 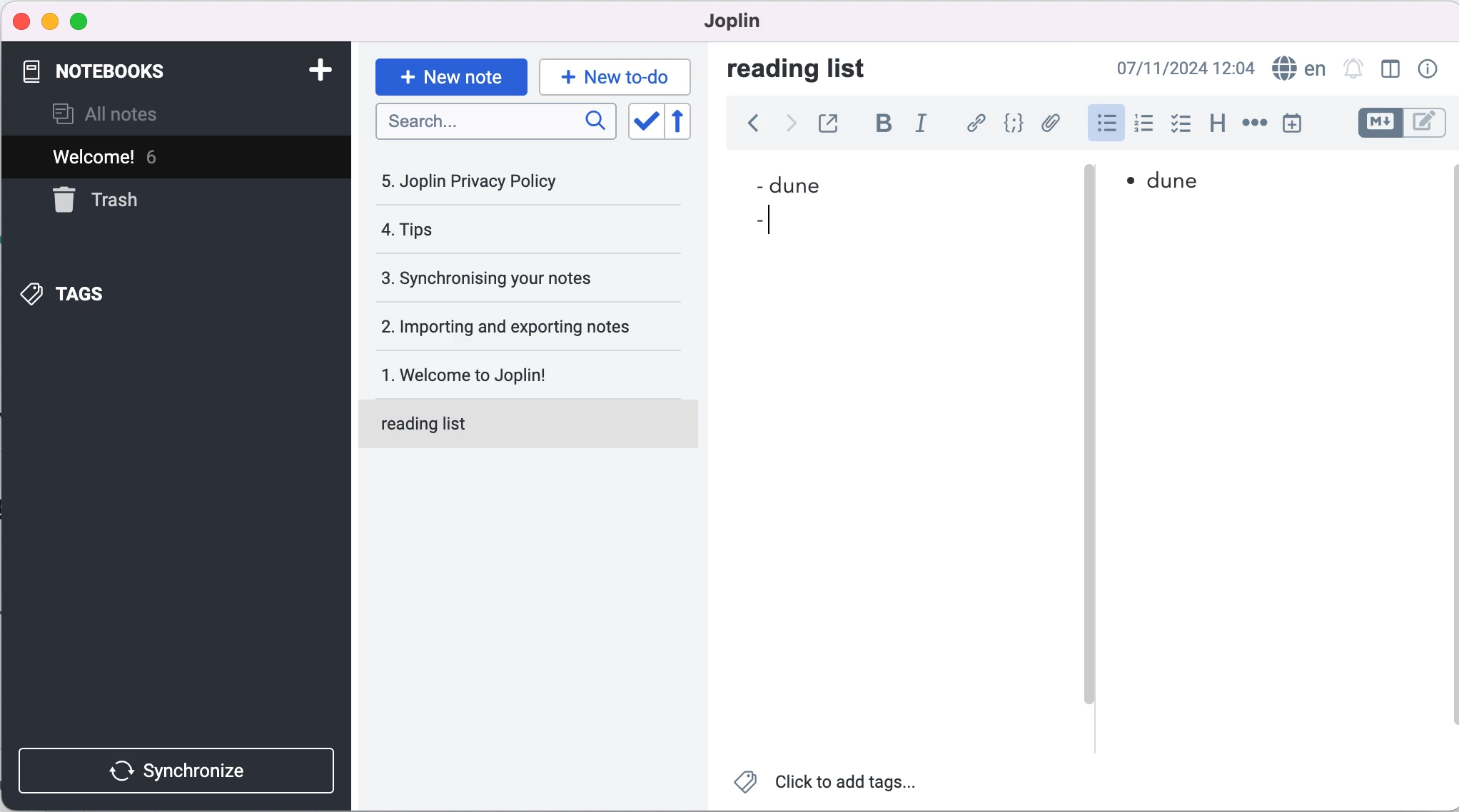 What do you see at coordinates (127, 113) in the screenshot?
I see `all notes` at bounding box center [127, 113].